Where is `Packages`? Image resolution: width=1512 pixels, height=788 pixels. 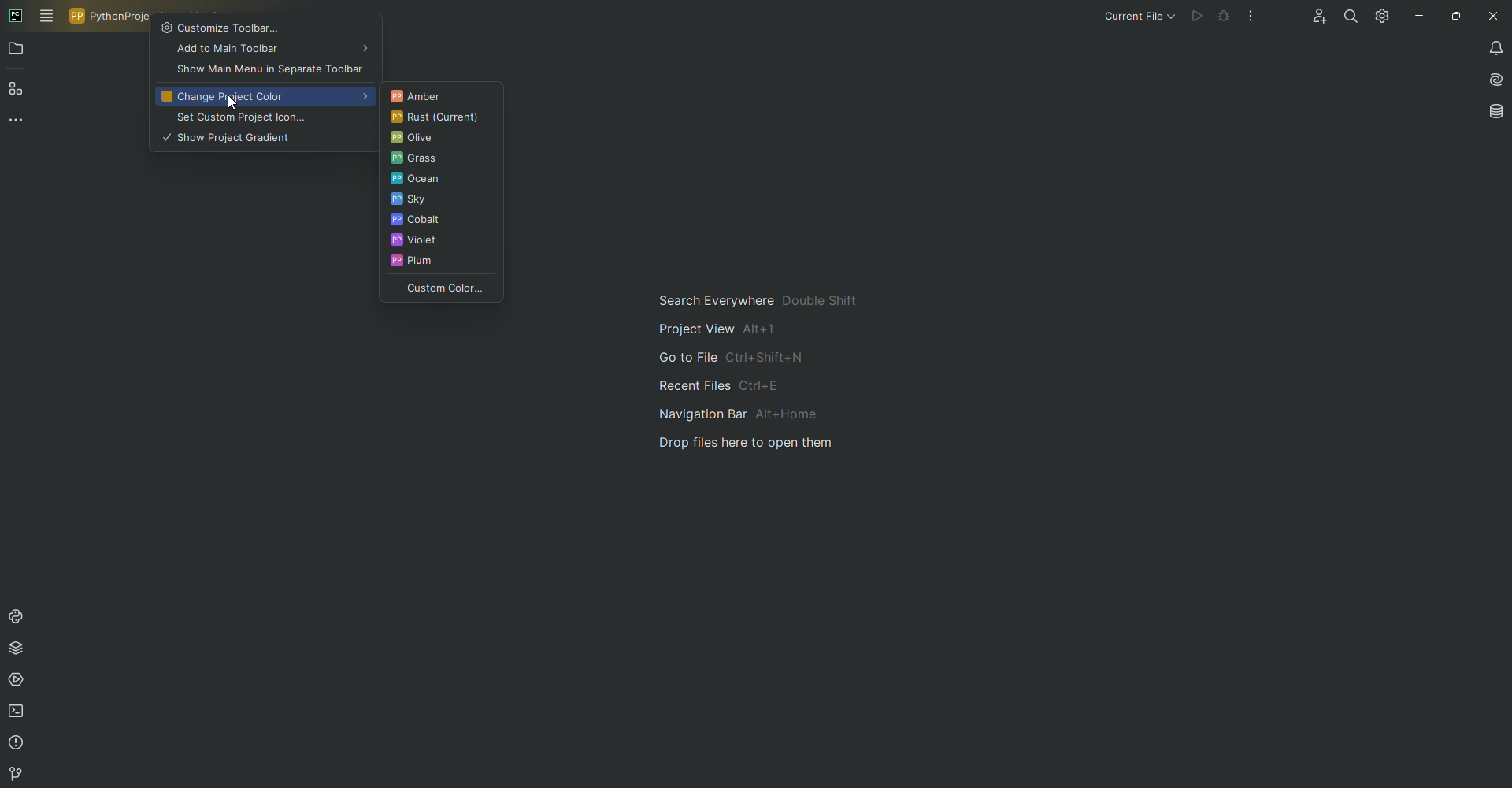 Packages is located at coordinates (21, 651).